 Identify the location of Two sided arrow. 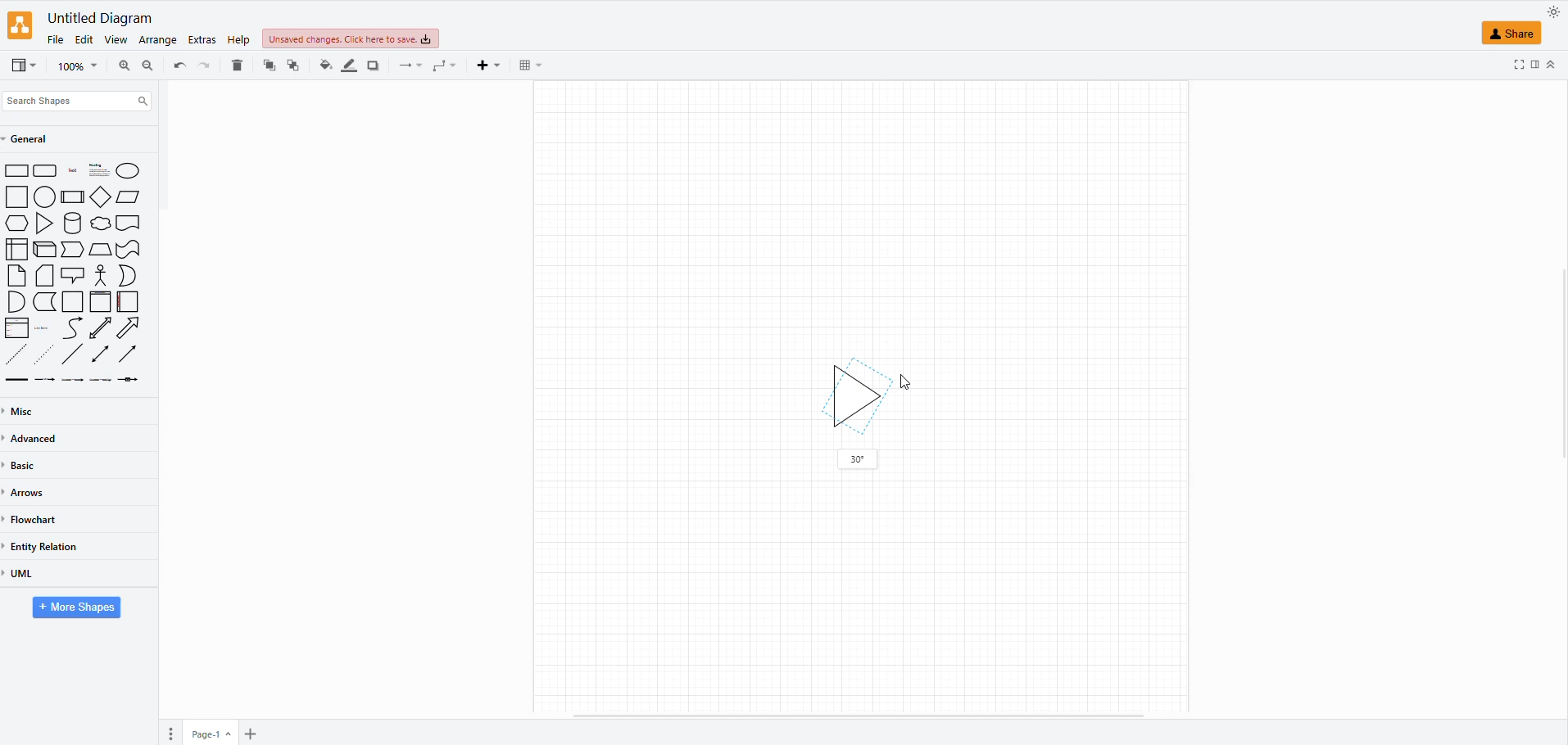
(100, 354).